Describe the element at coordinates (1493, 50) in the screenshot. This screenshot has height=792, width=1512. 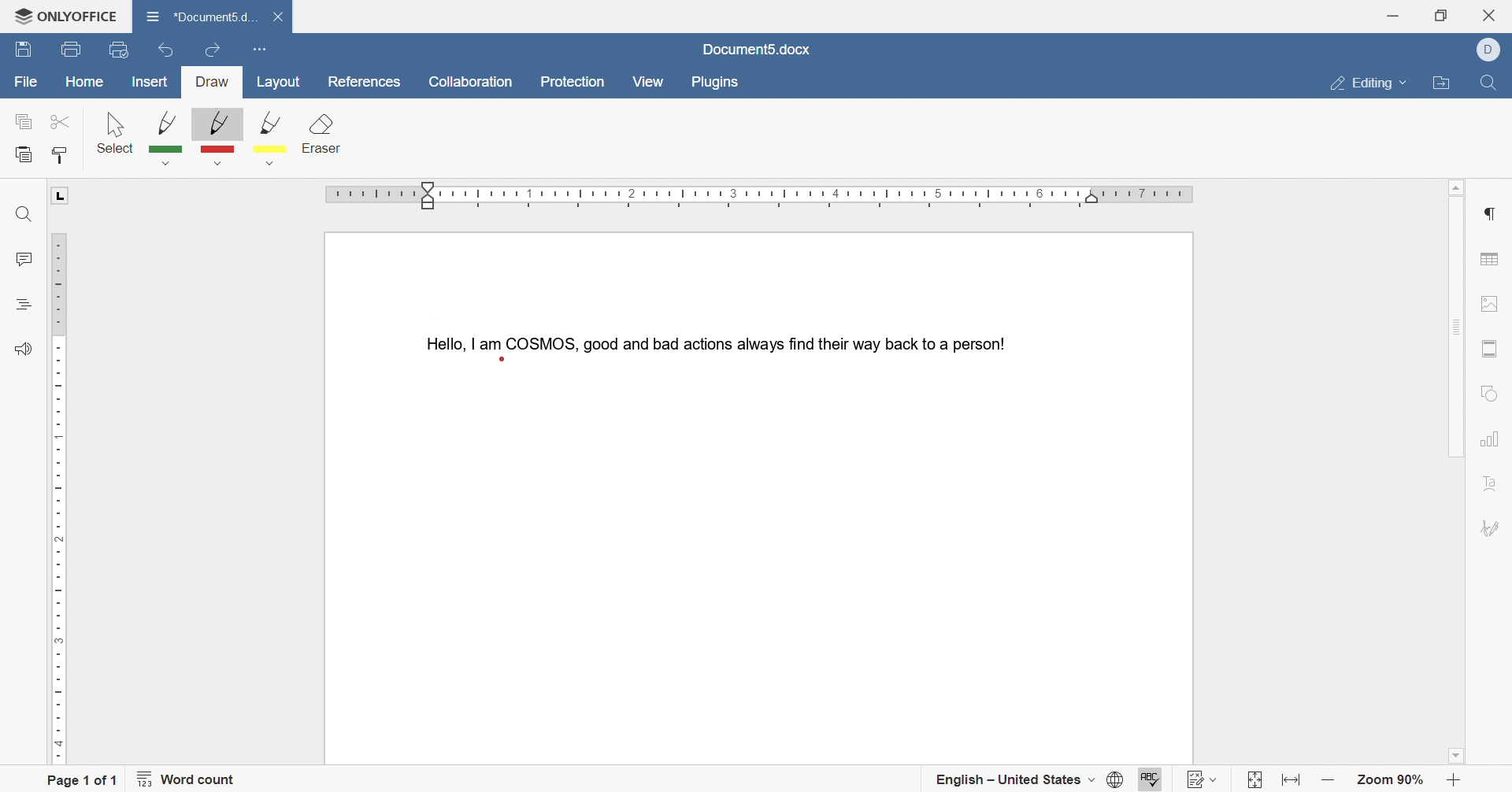
I see `Account` at that location.